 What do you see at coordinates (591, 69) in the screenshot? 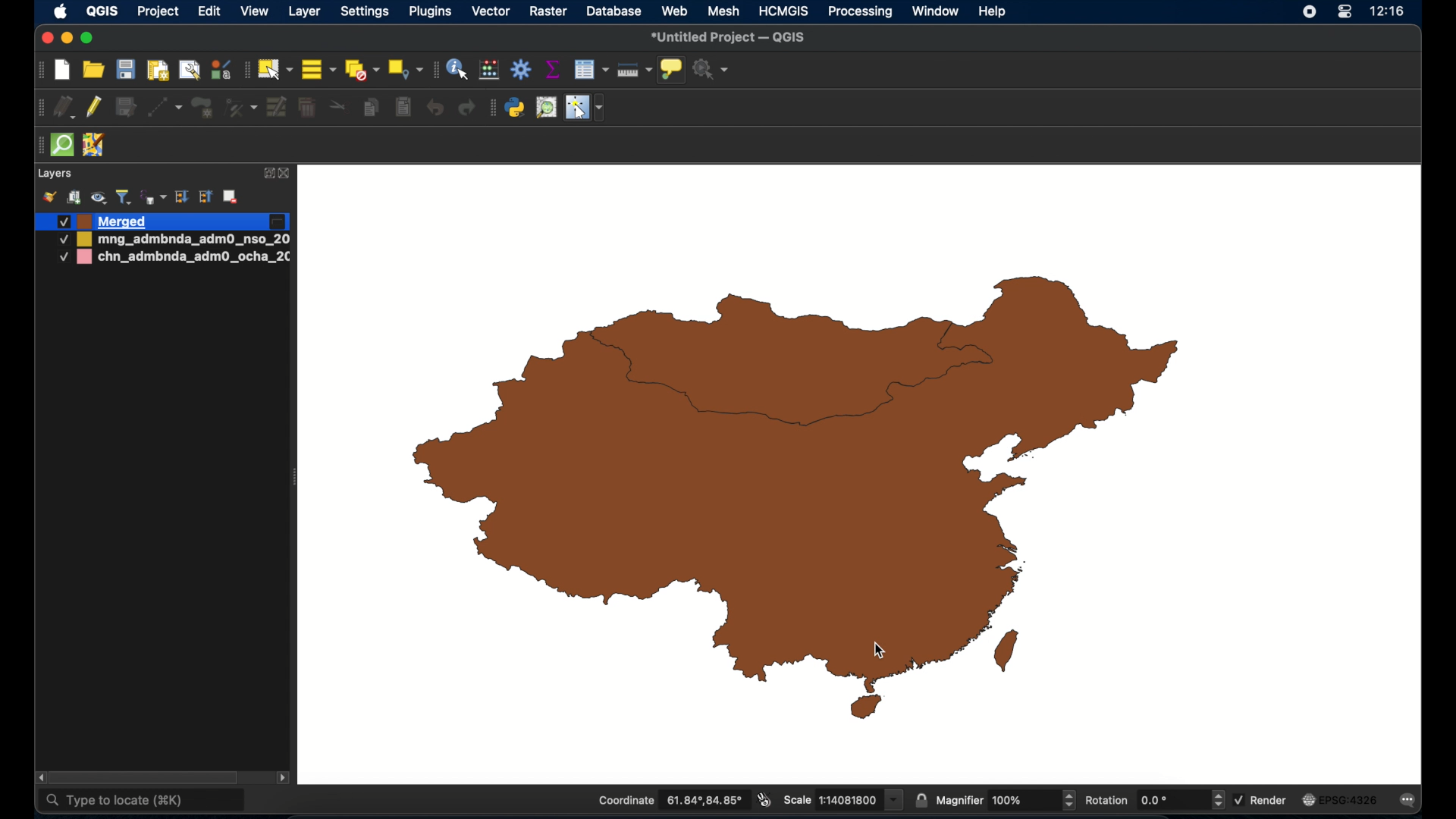
I see `attributes table` at bounding box center [591, 69].